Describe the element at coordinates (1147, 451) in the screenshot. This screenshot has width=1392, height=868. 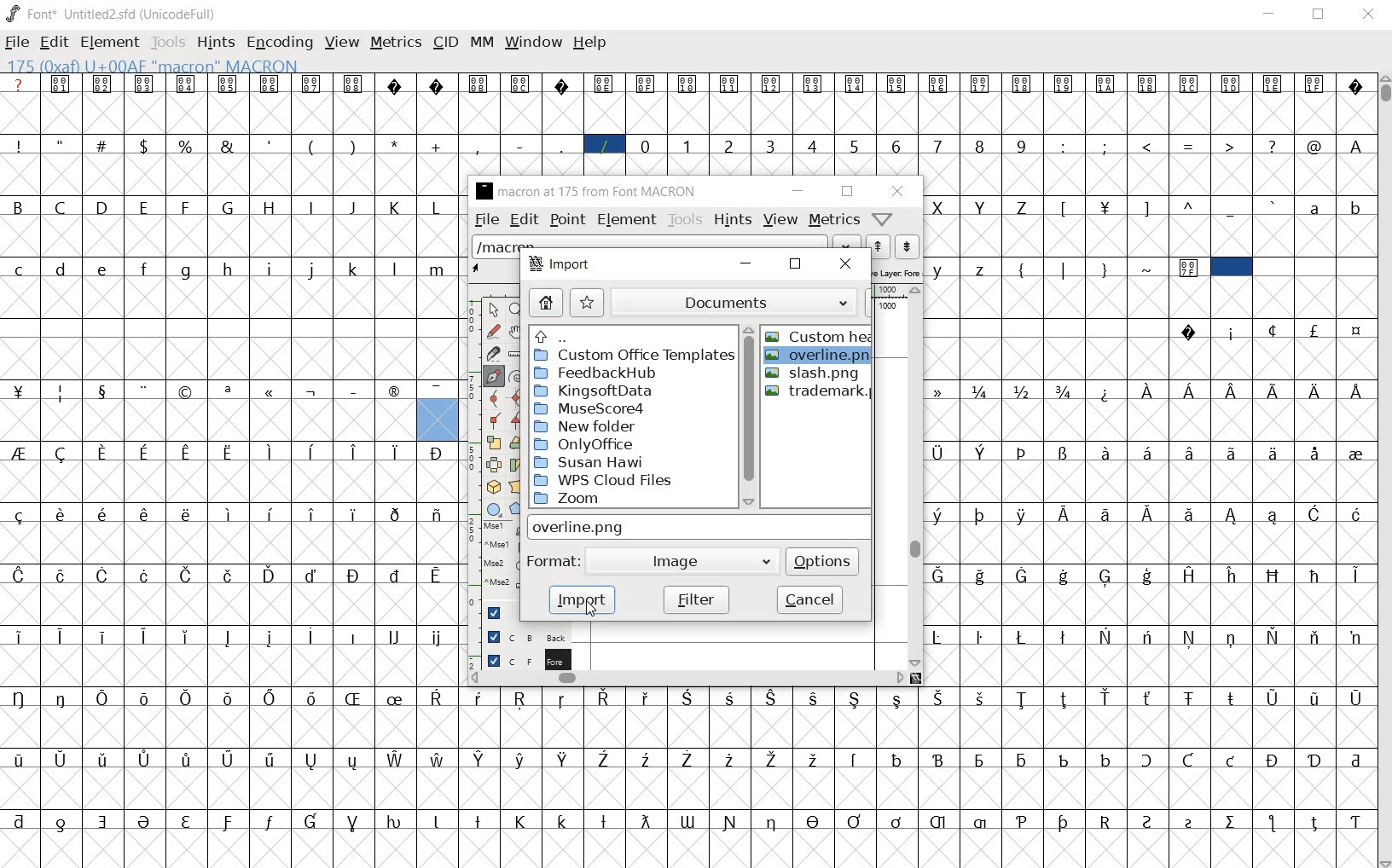
I see `Symbol` at that location.